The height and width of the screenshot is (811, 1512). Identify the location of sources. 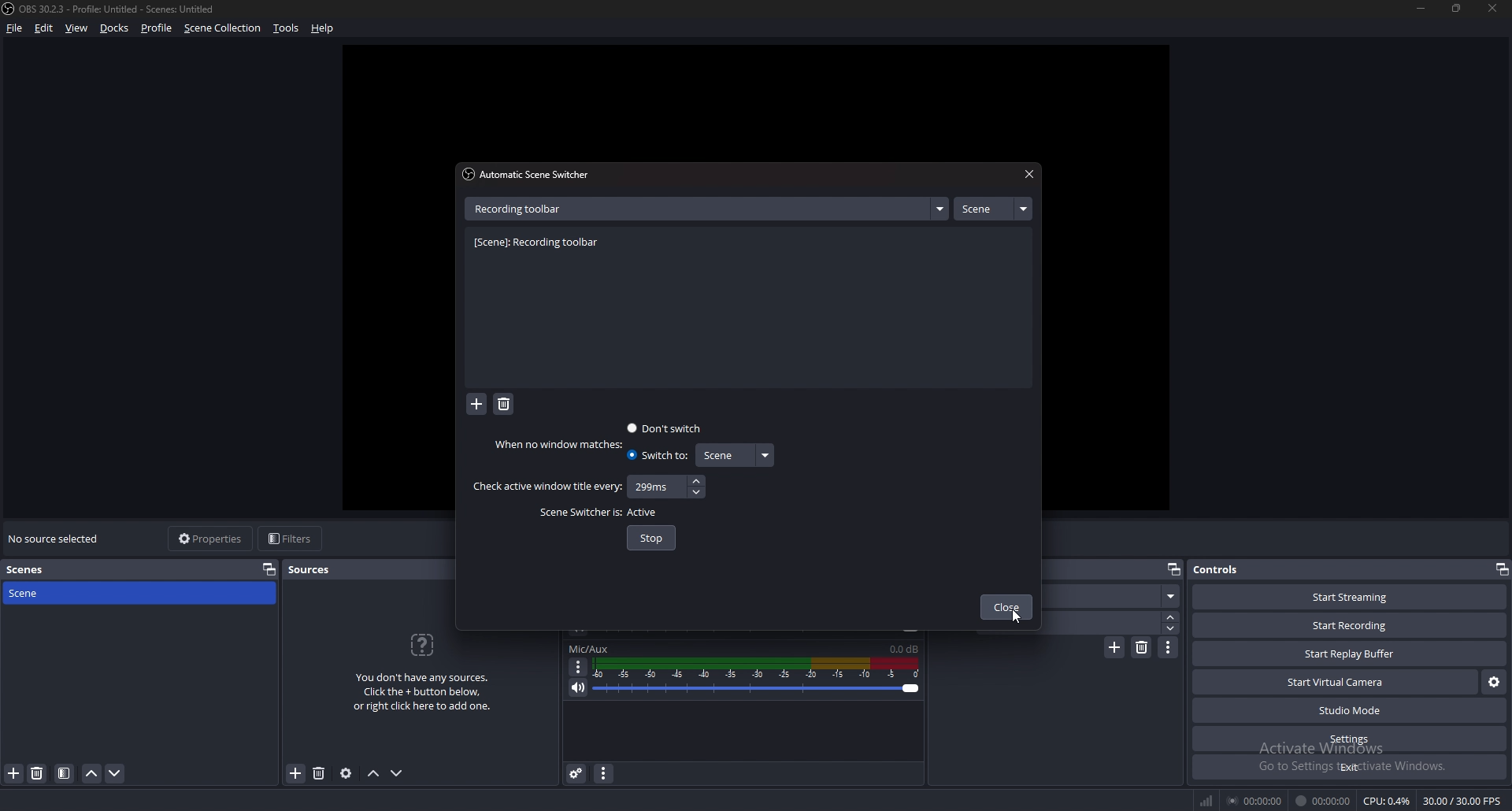
(317, 569).